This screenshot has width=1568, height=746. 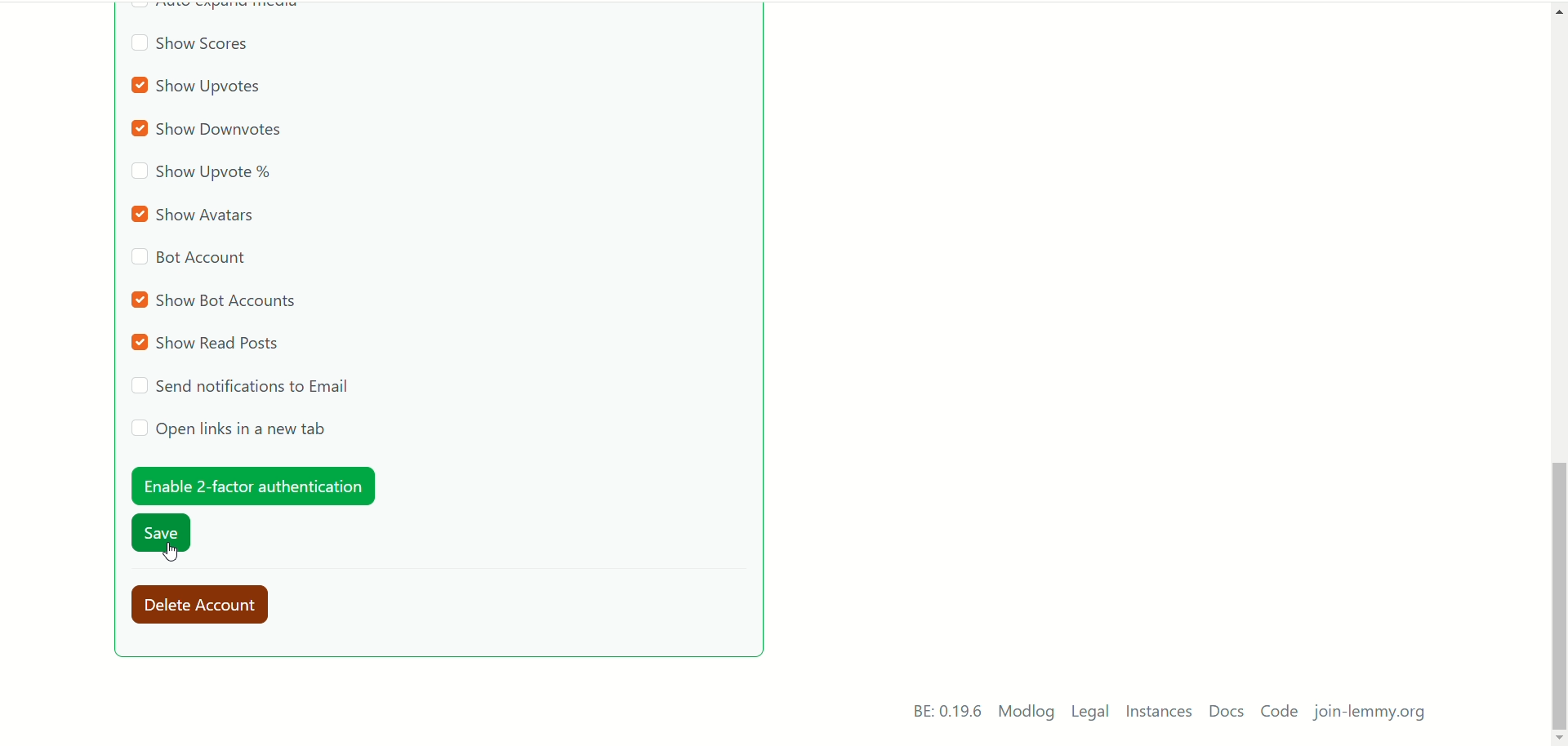 What do you see at coordinates (1226, 712) in the screenshot?
I see `docs` at bounding box center [1226, 712].